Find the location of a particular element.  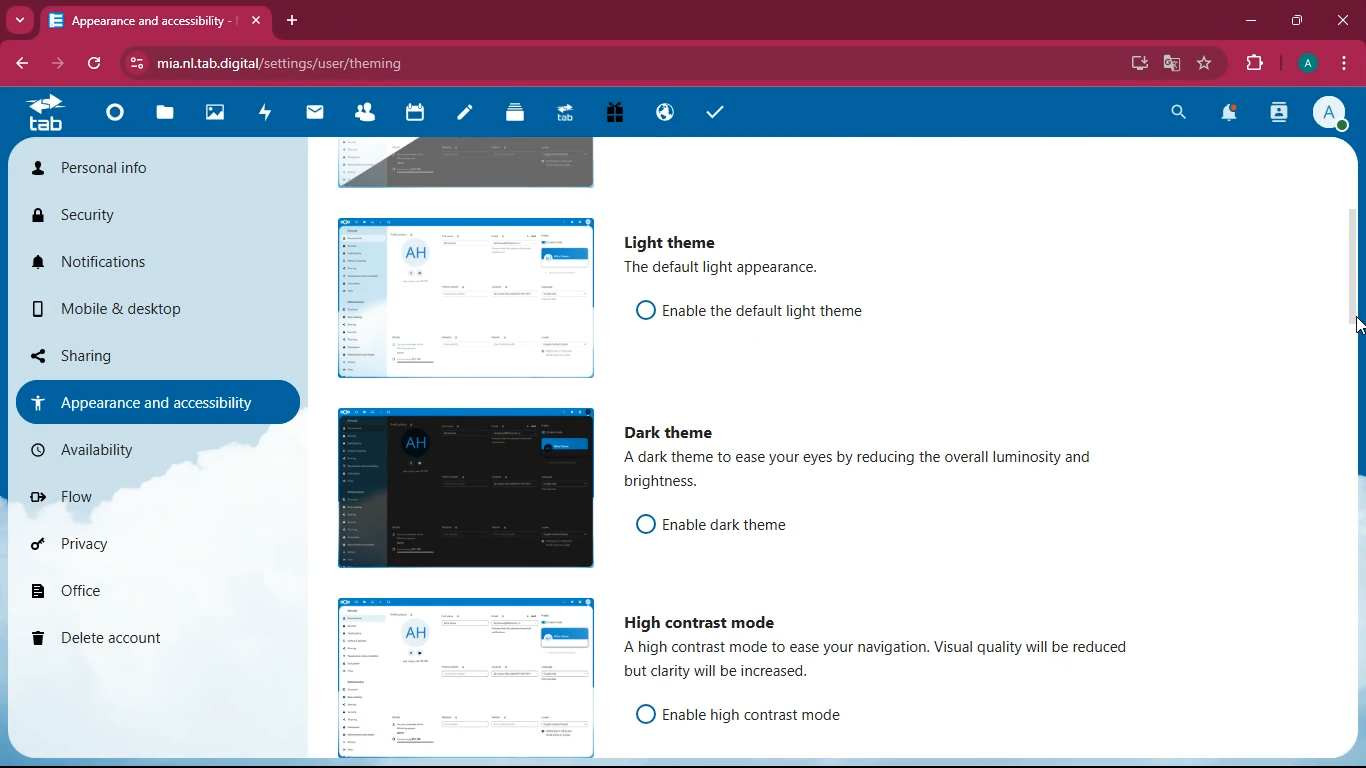

more is located at coordinates (22, 21).